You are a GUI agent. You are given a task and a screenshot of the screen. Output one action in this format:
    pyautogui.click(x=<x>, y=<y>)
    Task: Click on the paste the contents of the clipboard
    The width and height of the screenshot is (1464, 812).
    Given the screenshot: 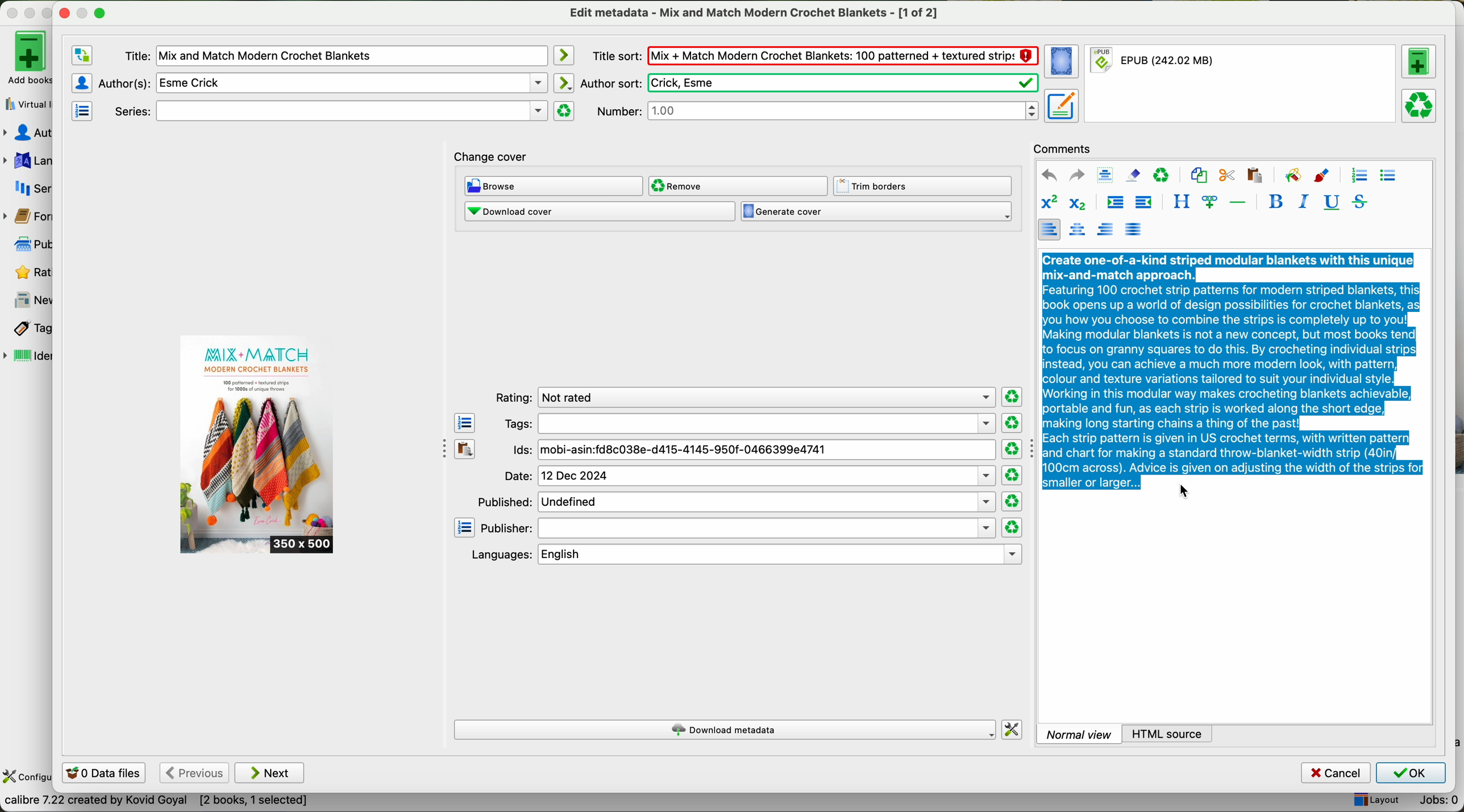 What is the action you would take?
    pyautogui.click(x=465, y=449)
    